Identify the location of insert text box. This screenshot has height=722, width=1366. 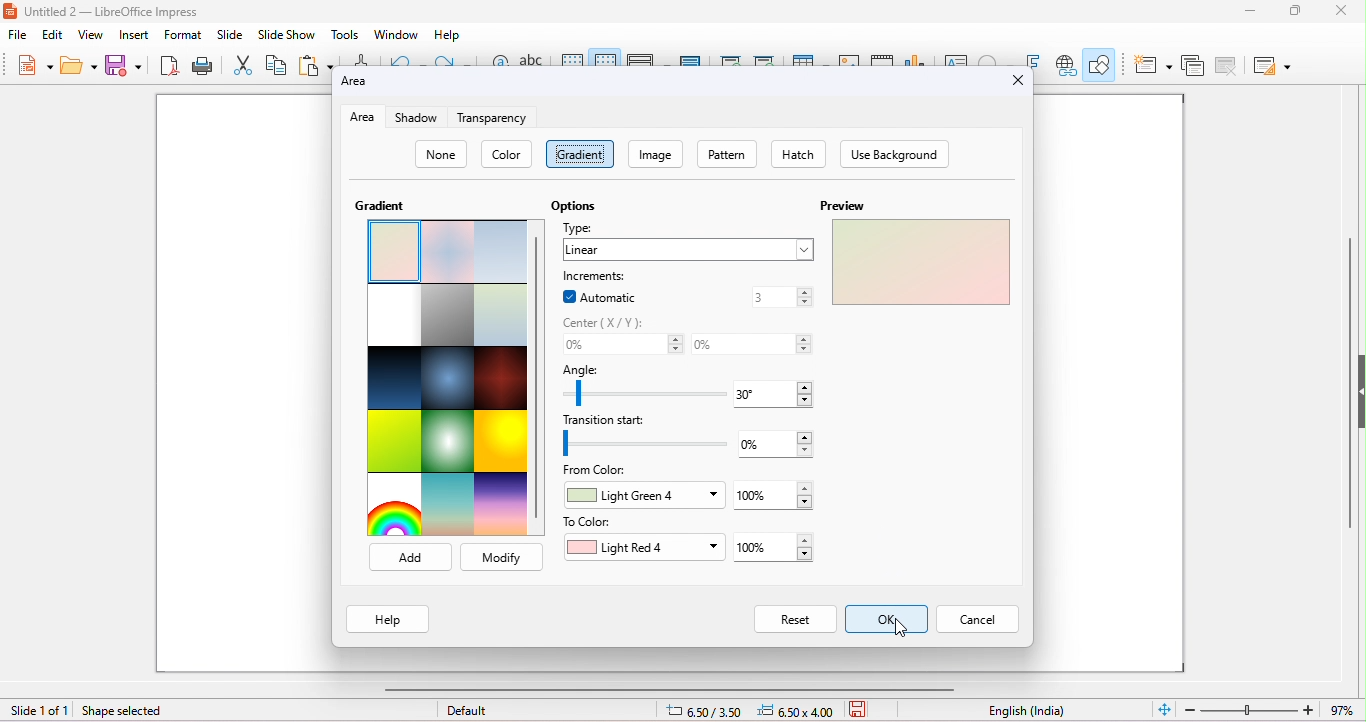
(954, 58).